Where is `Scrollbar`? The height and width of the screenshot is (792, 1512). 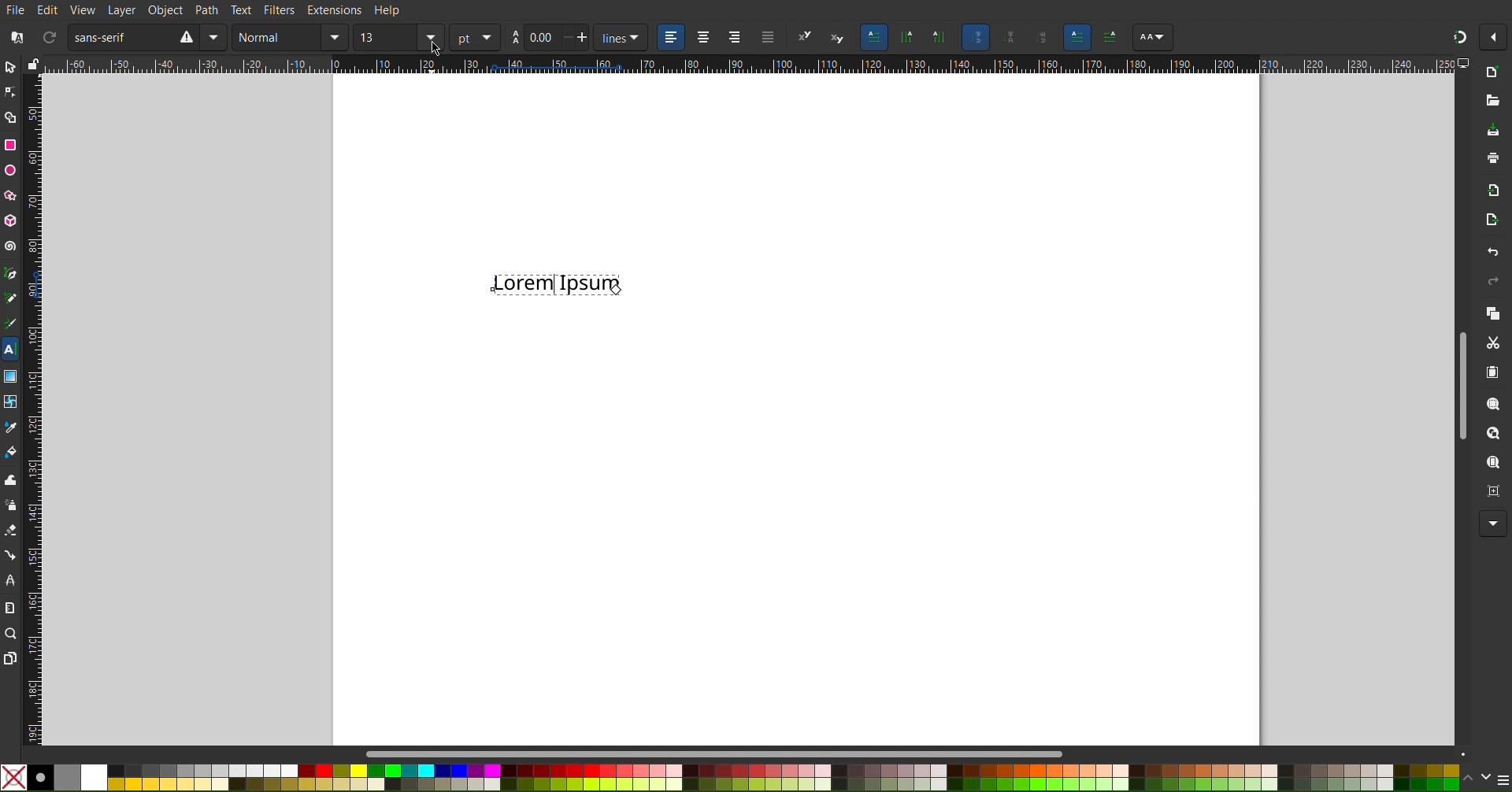 Scrollbar is located at coordinates (1462, 385).